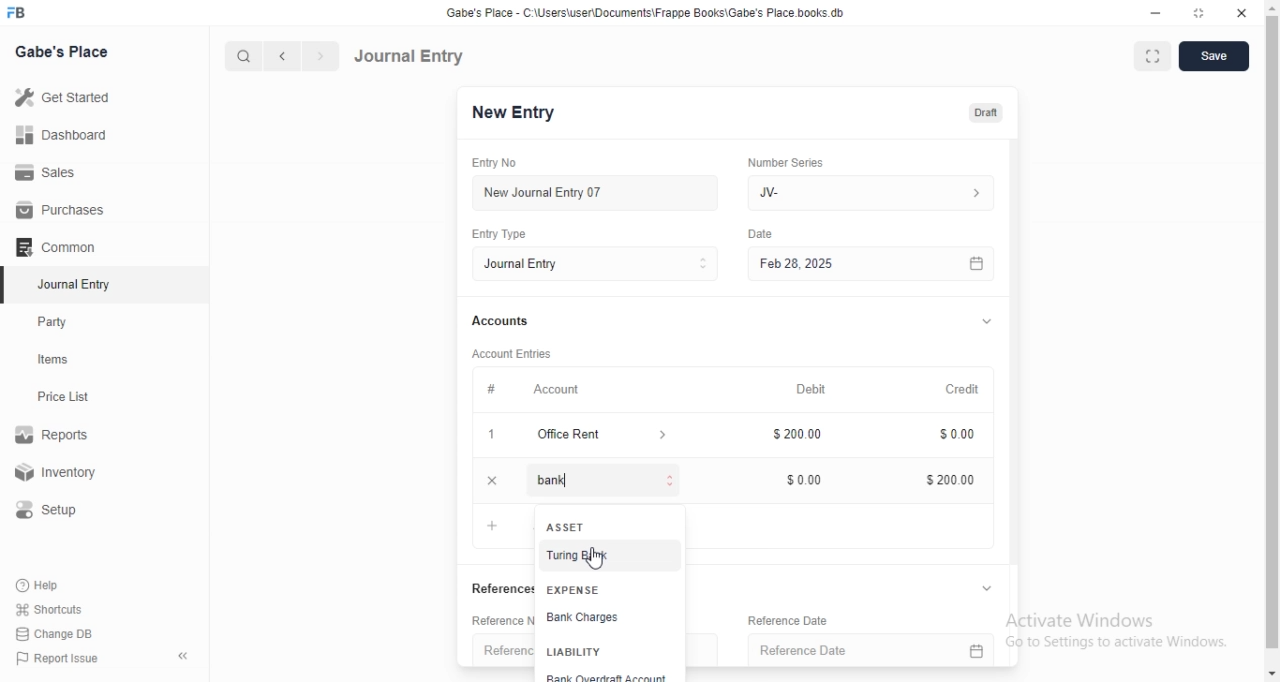 This screenshot has width=1280, height=682. I want to click on ‘Journal Entry, so click(77, 284).